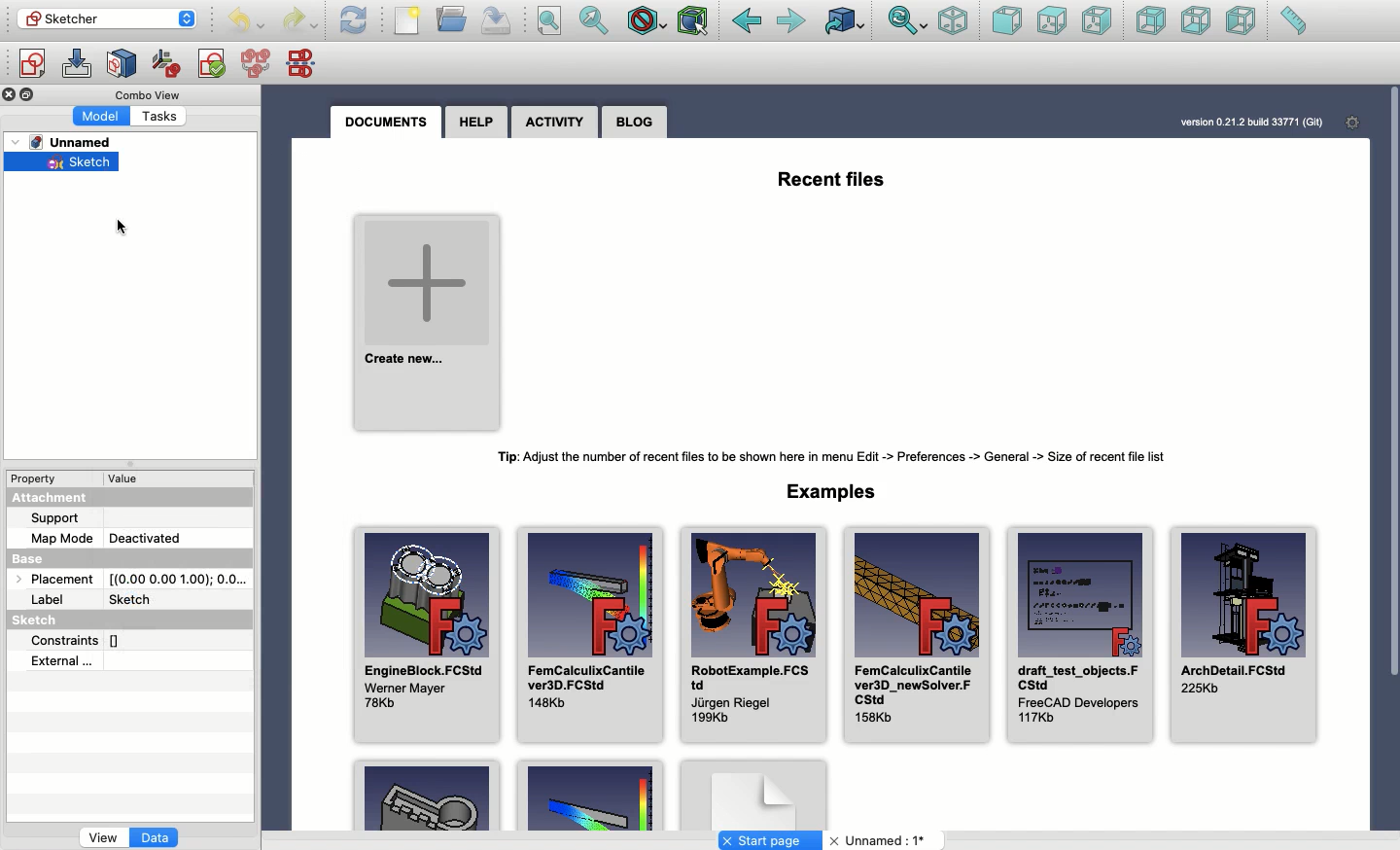  What do you see at coordinates (42, 621) in the screenshot?
I see `Sketch` at bounding box center [42, 621].